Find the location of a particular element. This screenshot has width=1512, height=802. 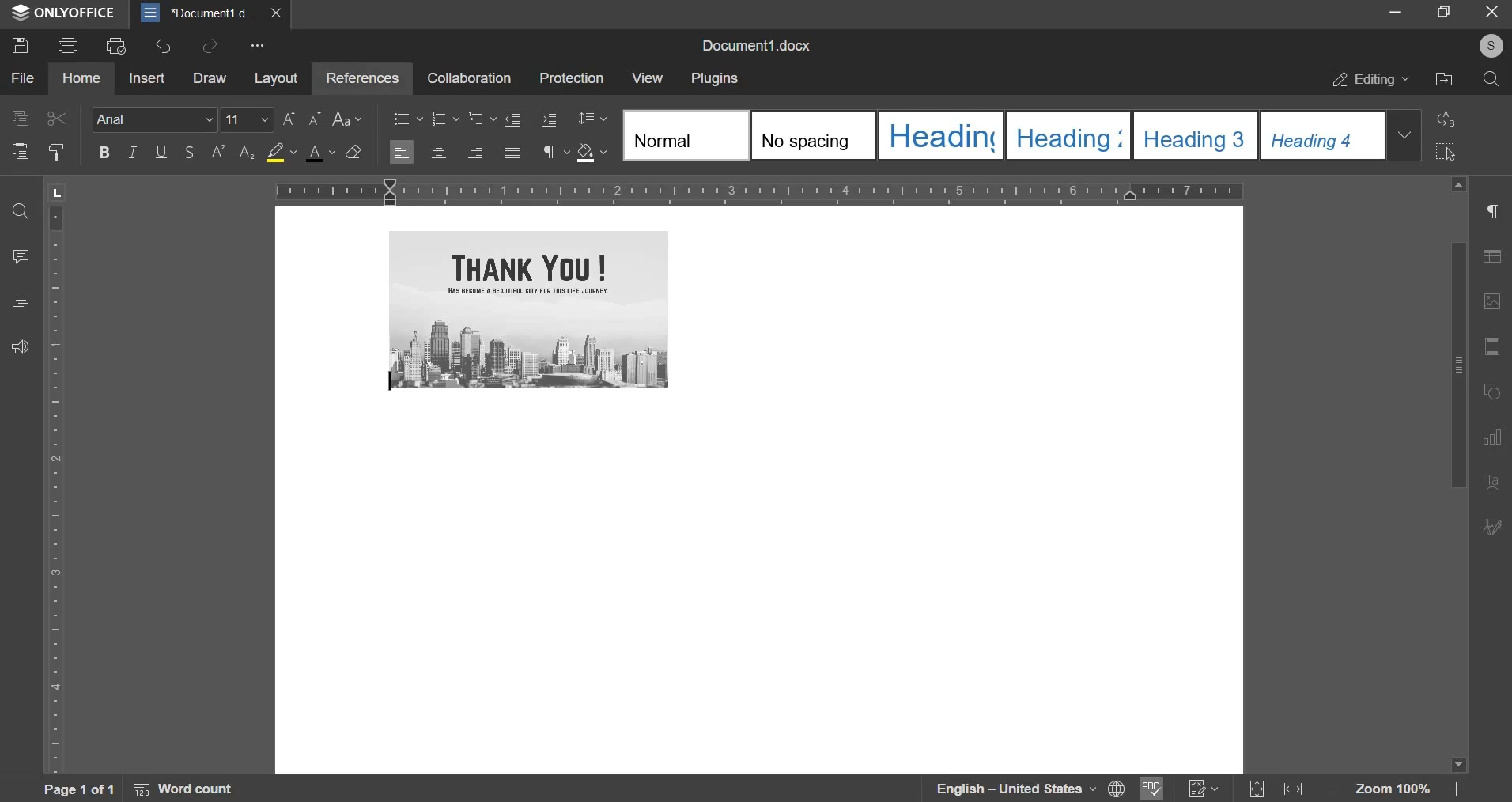

fullscreen is located at coordinates (1443, 12).